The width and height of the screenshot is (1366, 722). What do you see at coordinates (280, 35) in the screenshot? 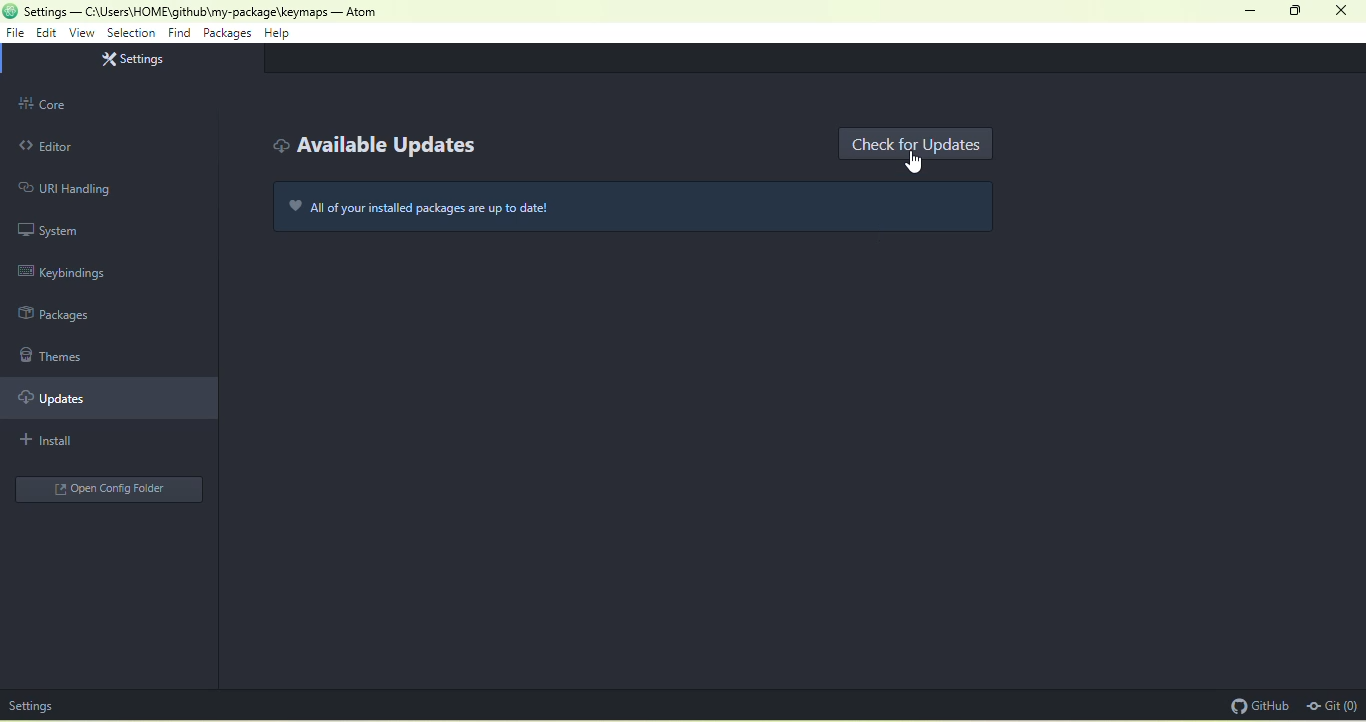
I see `help` at bounding box center [280, 35].